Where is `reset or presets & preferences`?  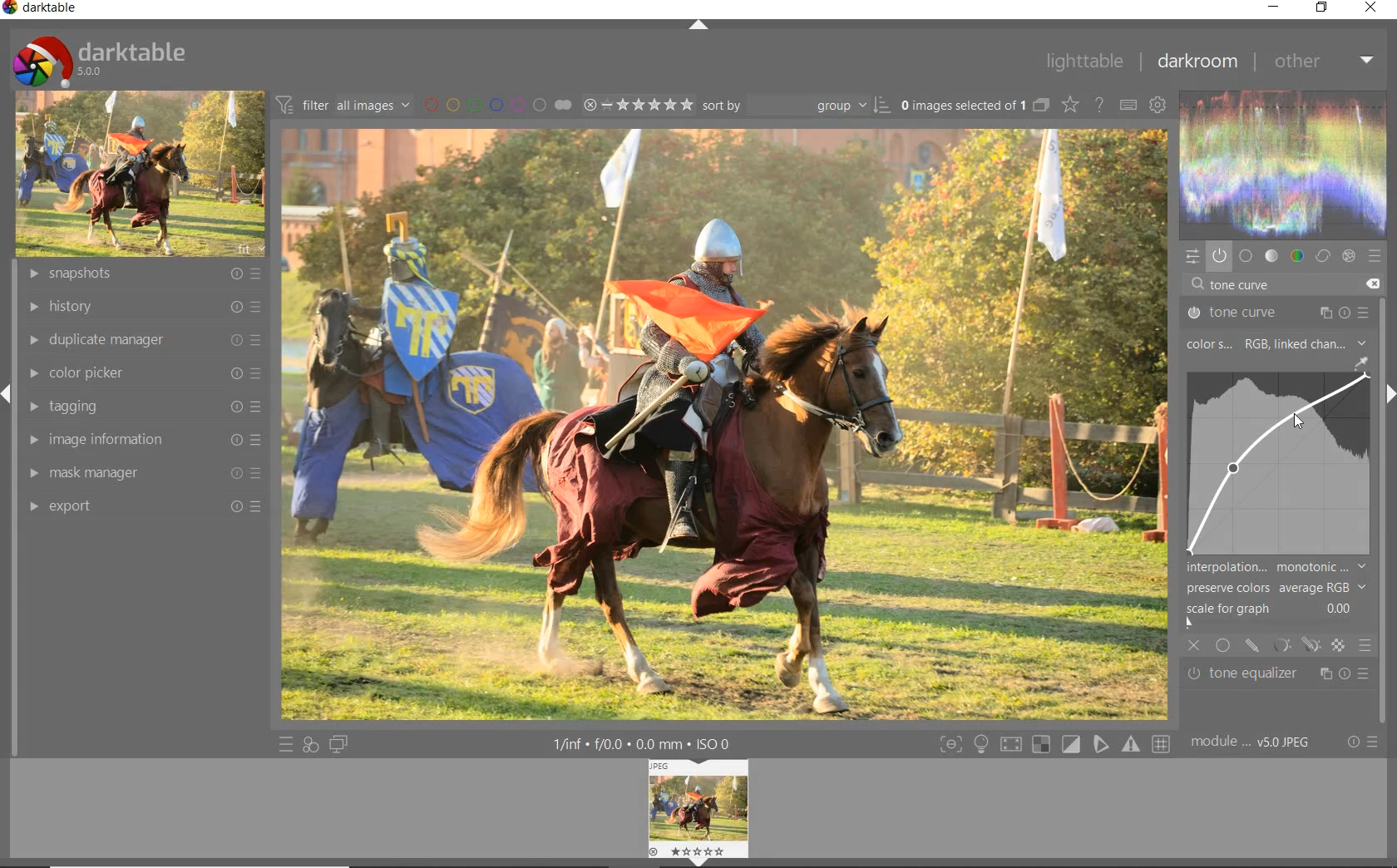 reset or presets & preferences is located at coordinates (1362, 743).